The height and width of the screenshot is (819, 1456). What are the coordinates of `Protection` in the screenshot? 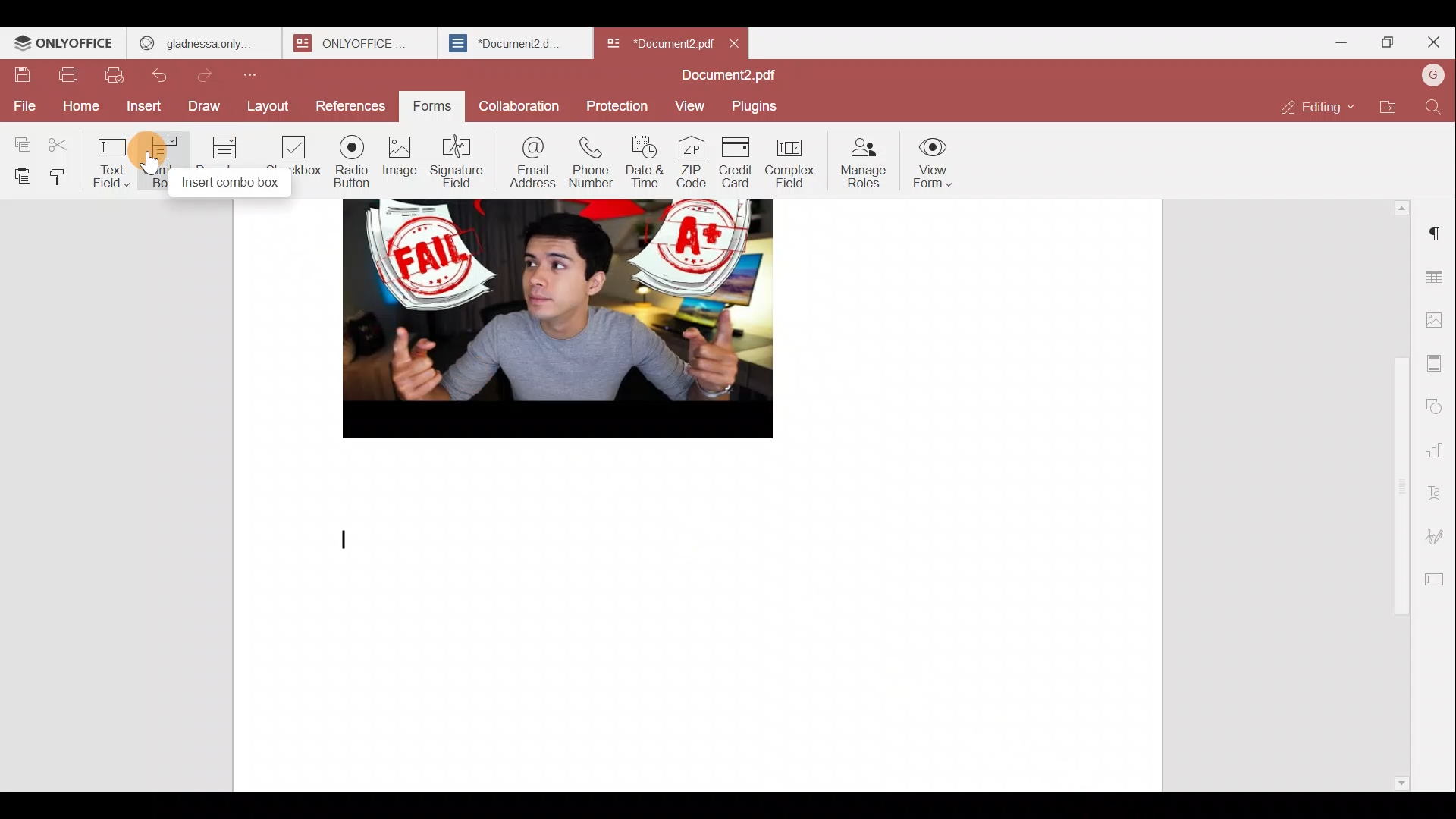 It's located at (616, 103).